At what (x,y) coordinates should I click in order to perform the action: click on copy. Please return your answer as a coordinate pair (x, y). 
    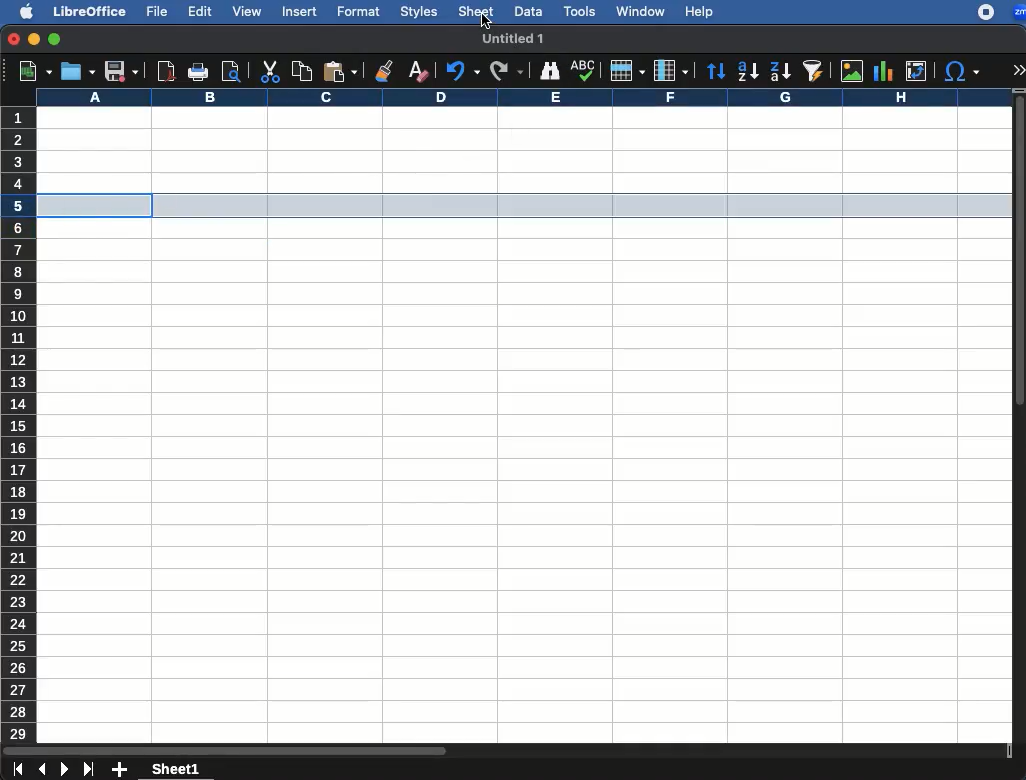
    Looking at the image, I should click on (299, 72).